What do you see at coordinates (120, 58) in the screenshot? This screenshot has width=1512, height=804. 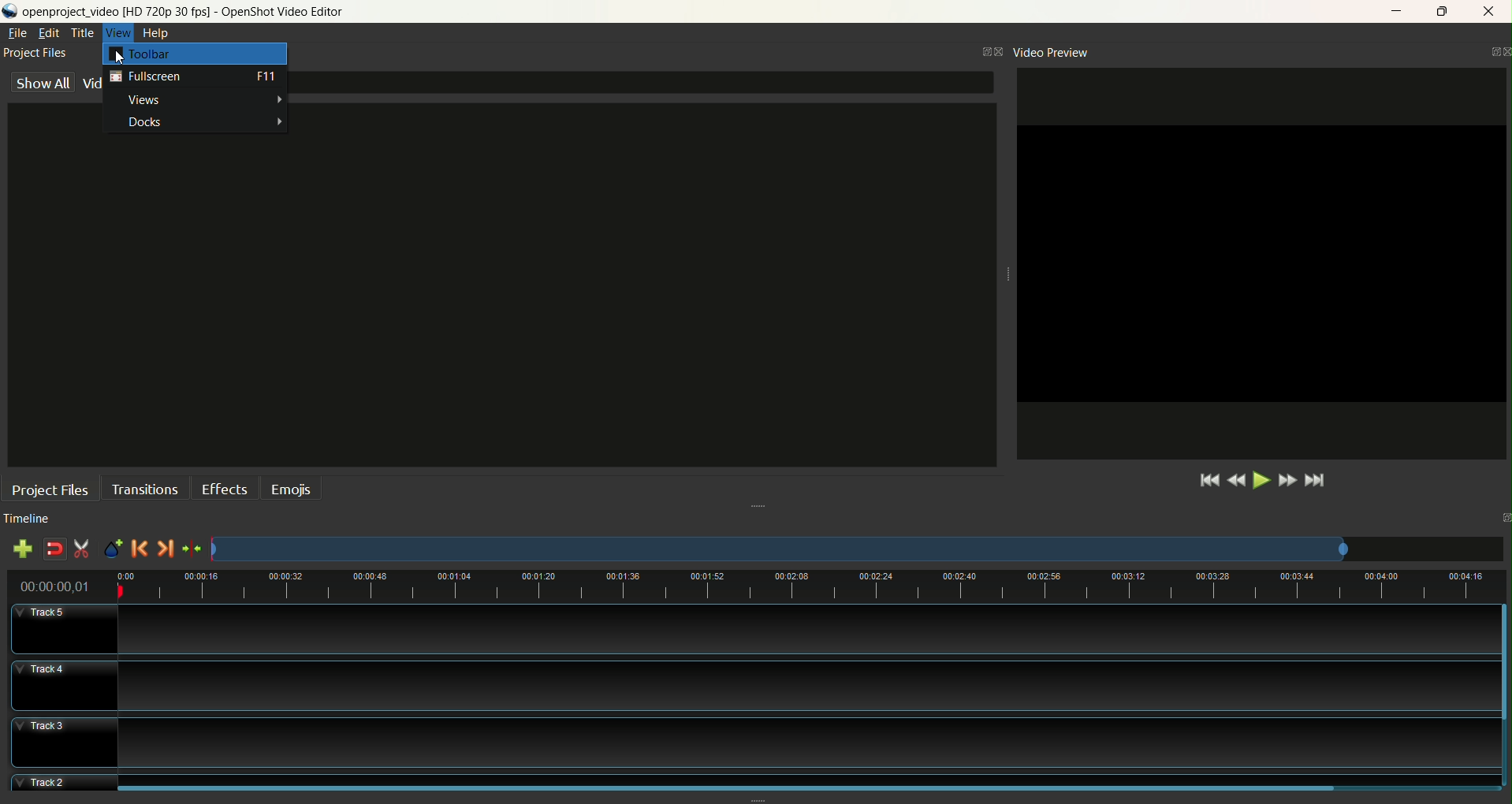 I see `cursor` at bounding box center [120, 58].